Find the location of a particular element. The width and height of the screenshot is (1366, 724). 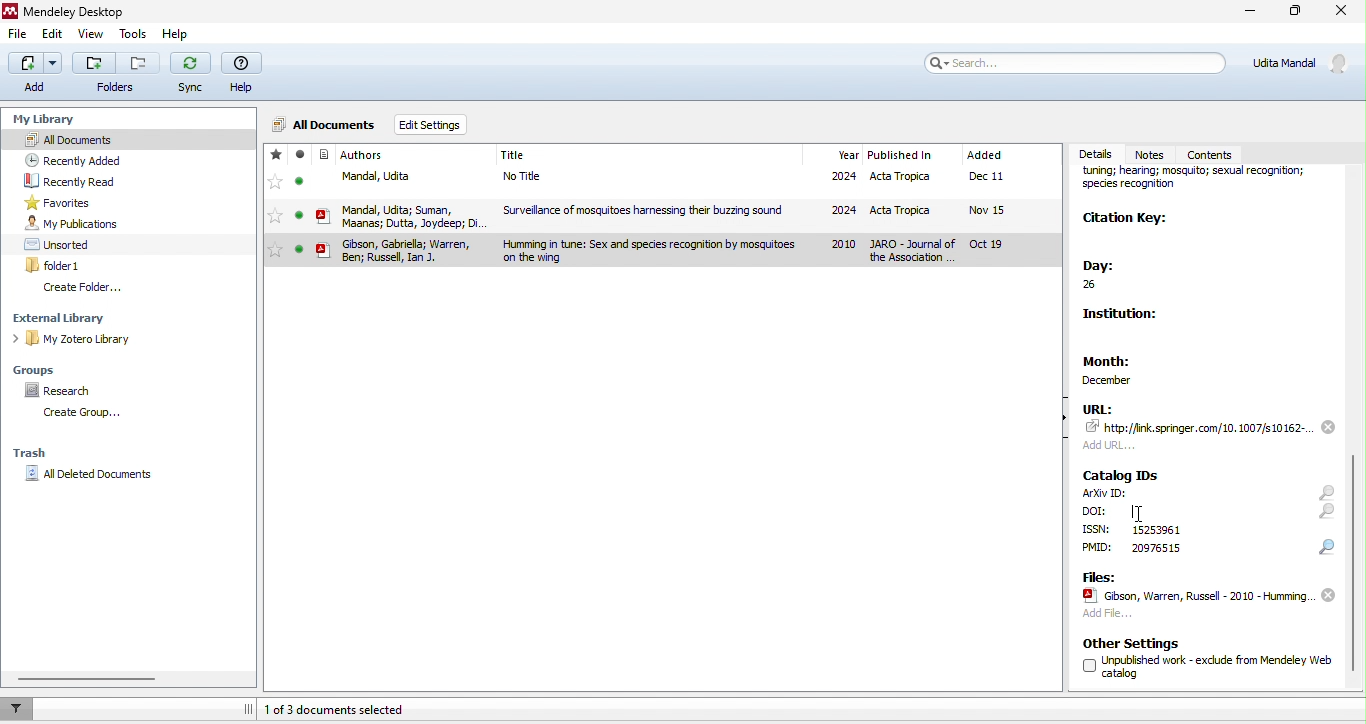

filter is located at coordinates (20, 708).